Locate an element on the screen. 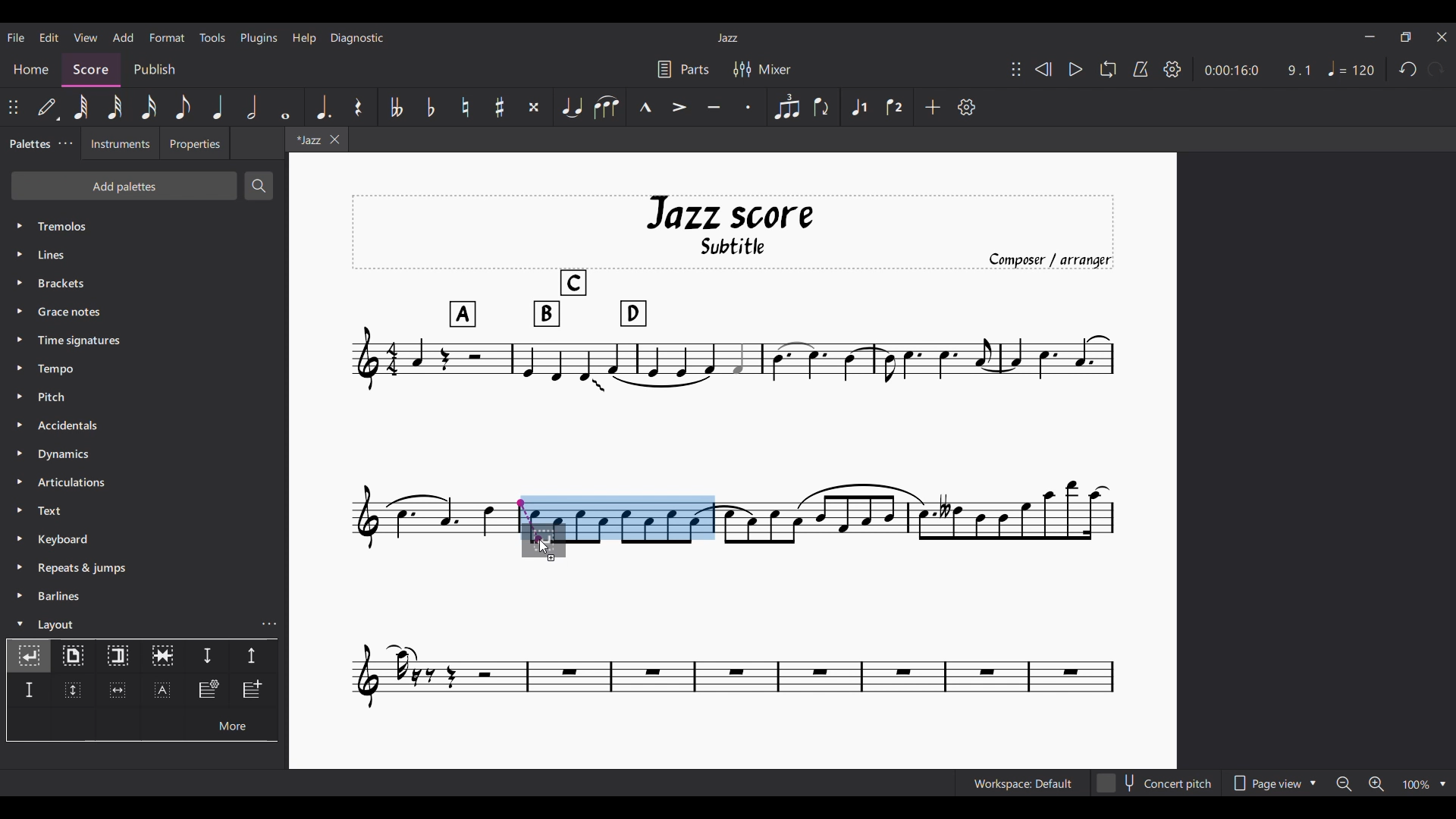 The image size is (1456, 819). Tremolos is located at coordinates (145, 226).